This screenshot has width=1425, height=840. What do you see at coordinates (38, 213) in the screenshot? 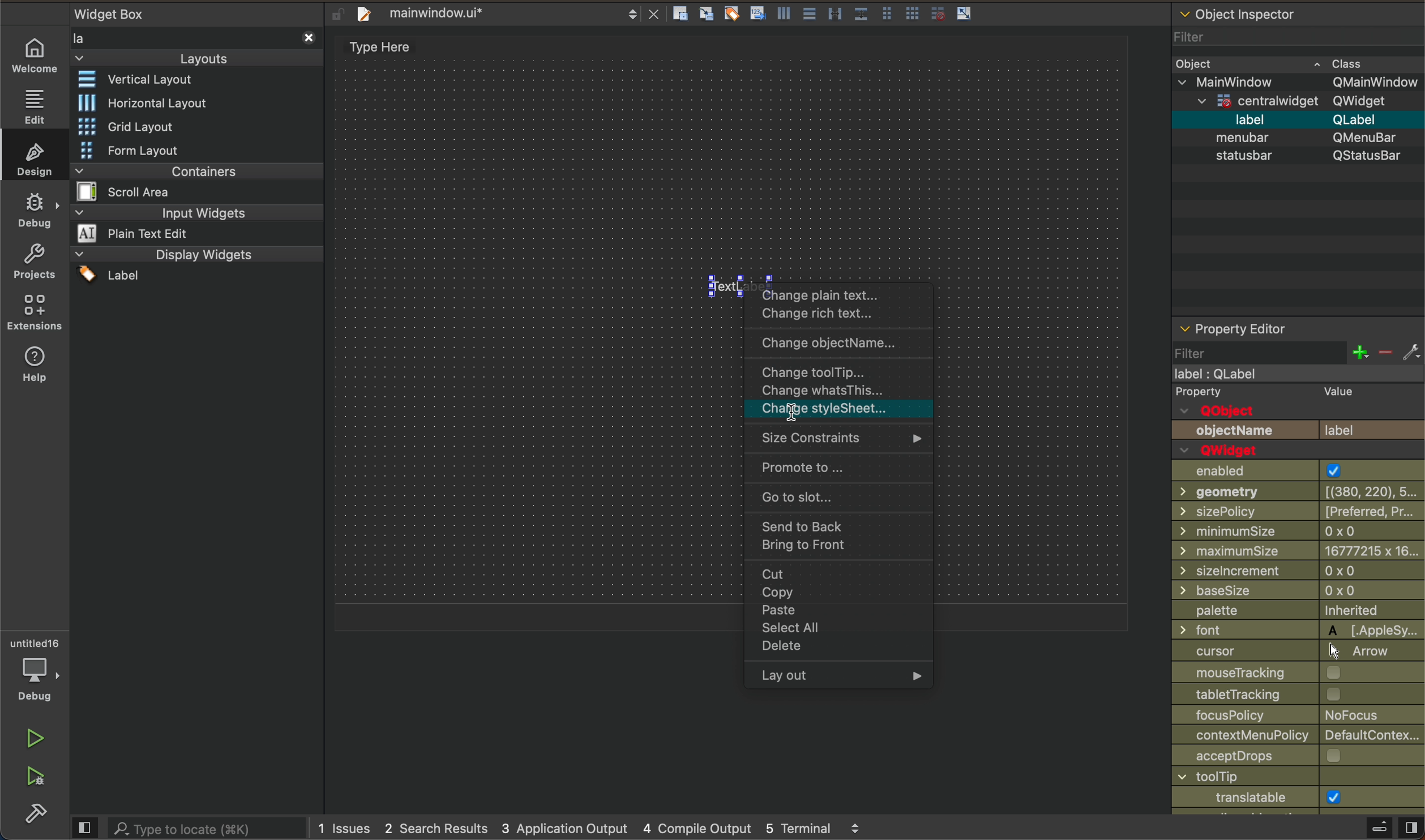
I see `debug` at bounding box center [38, 213].